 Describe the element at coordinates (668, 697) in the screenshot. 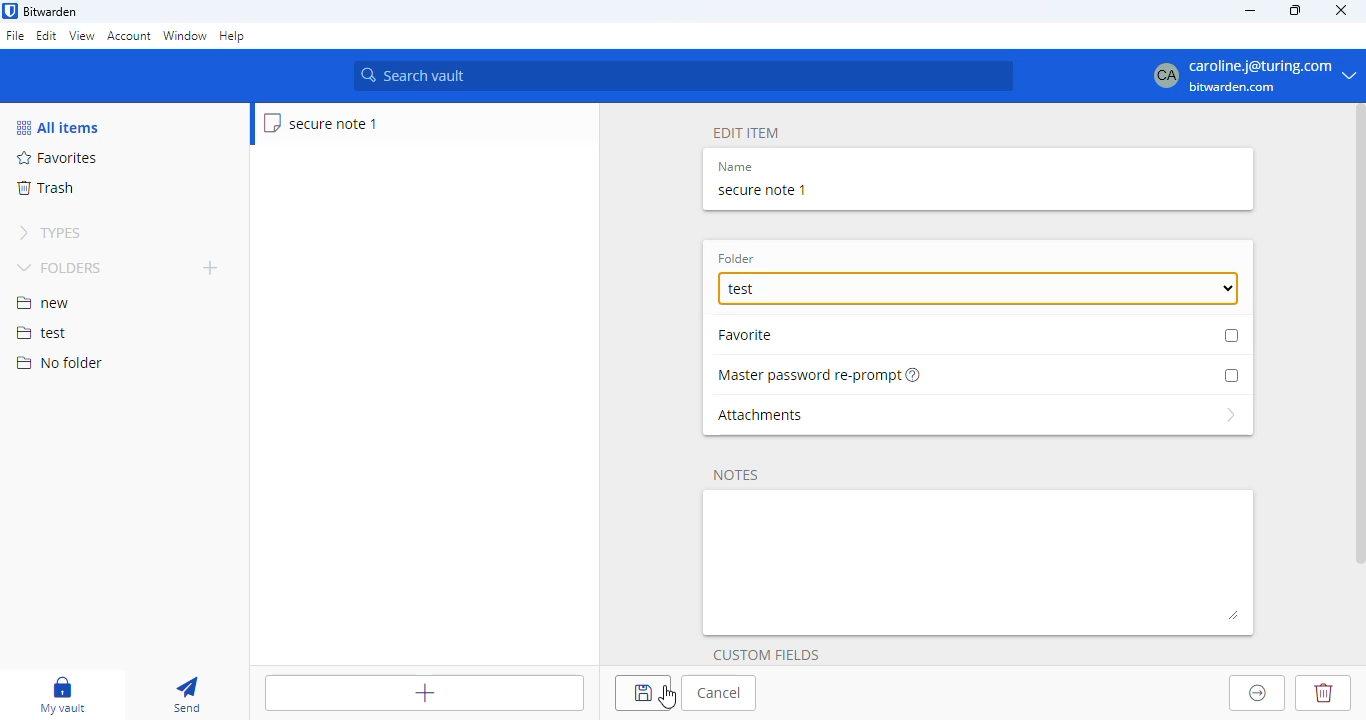

I see `cursor` at that location.